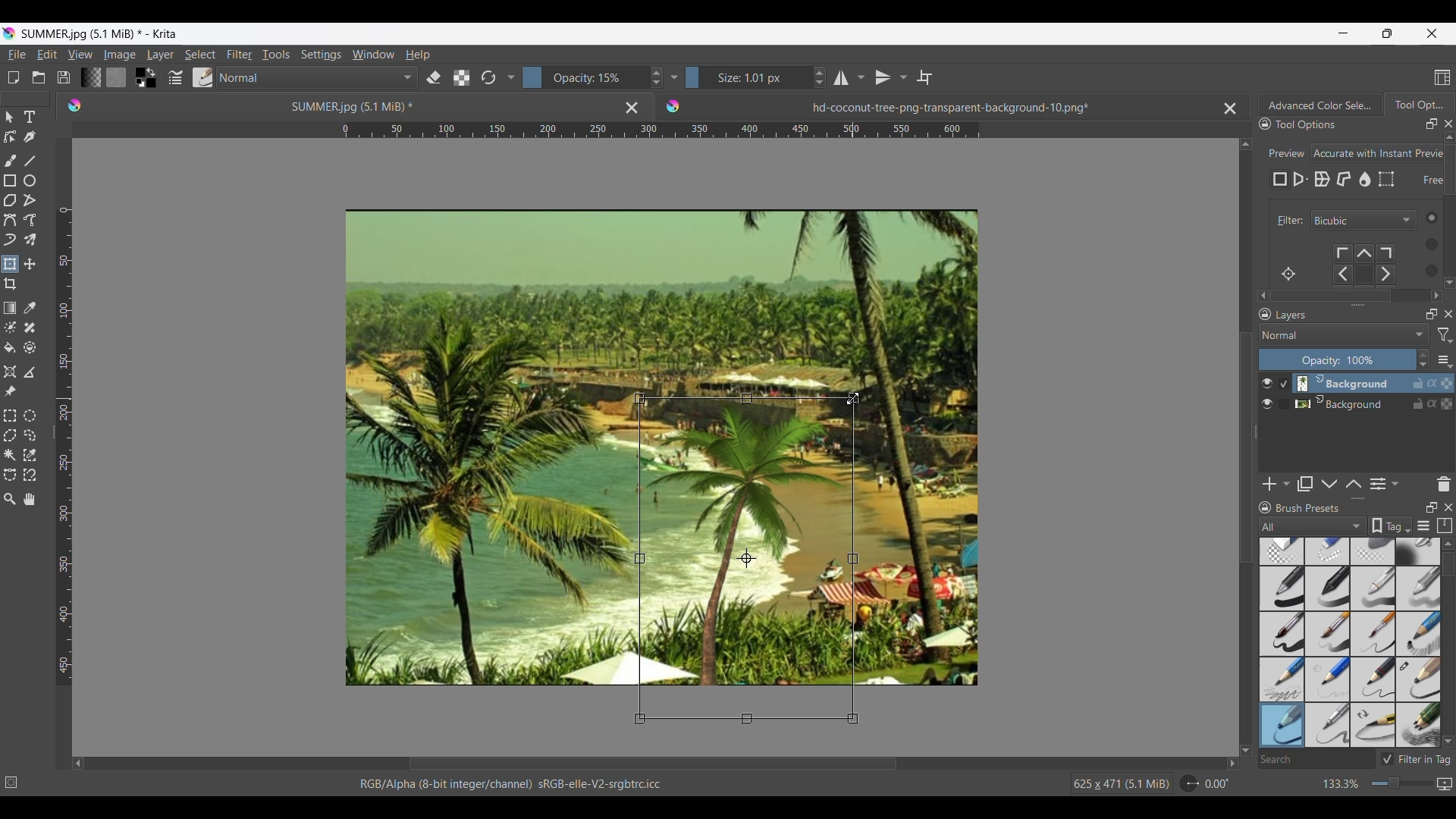 The image size is (1456, 819). What do you see at coordinates (1375, 551) in the screenshot?
I see `Eraser soft` at bounding box center [1375, 551].